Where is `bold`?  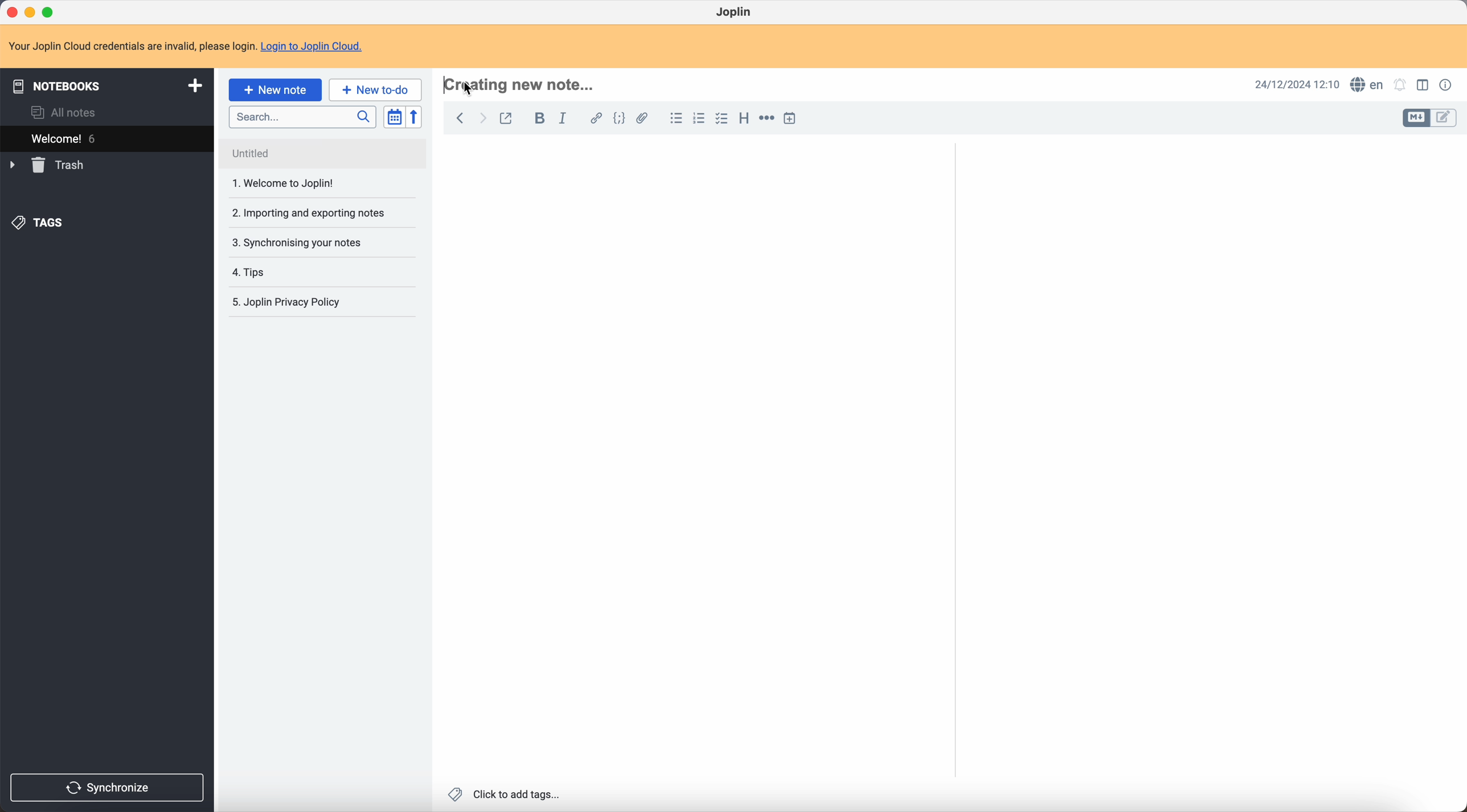
bold is located at coordinates (536, 118).